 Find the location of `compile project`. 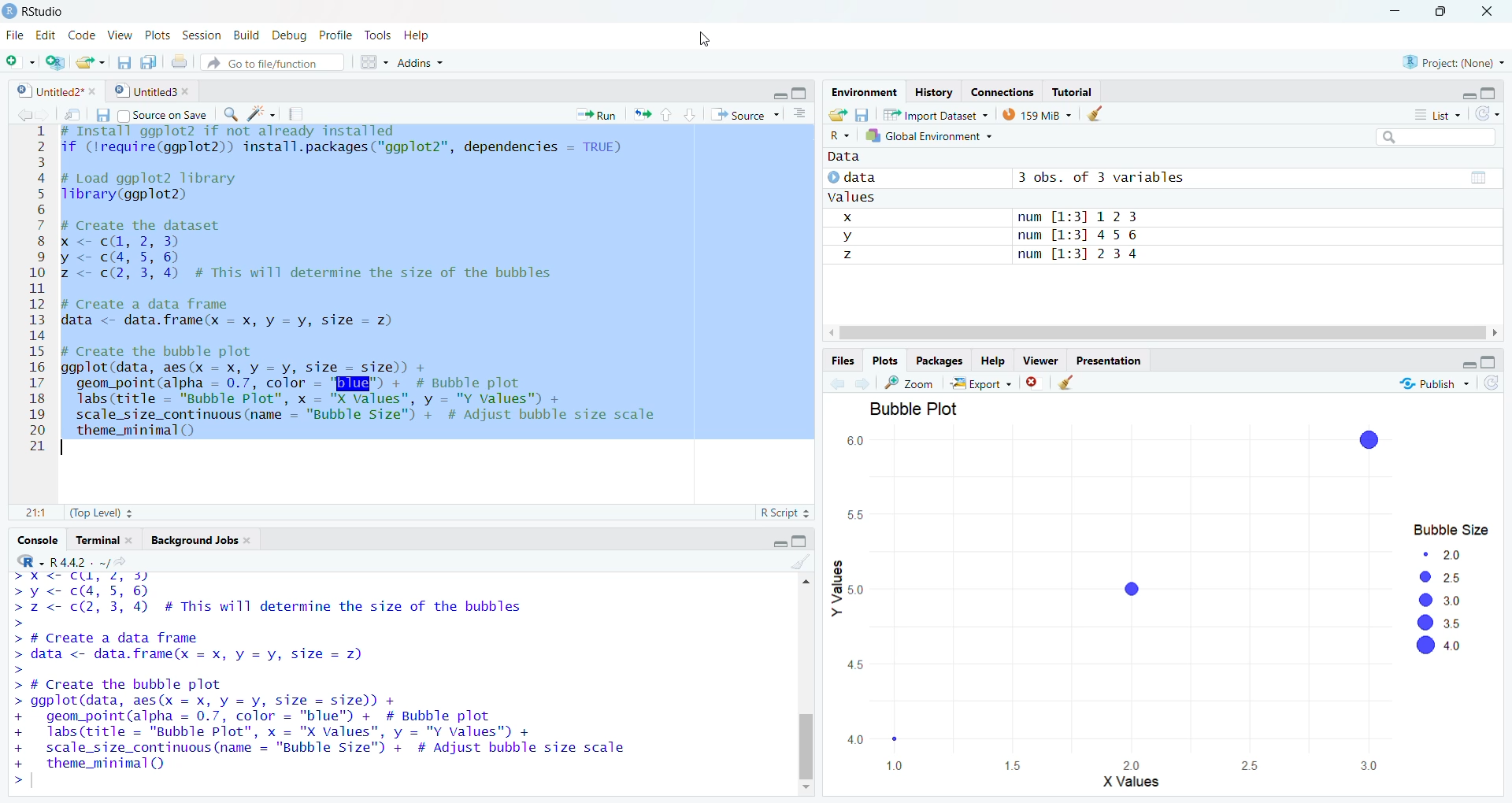

compile project is located at coordinates (302, 113).